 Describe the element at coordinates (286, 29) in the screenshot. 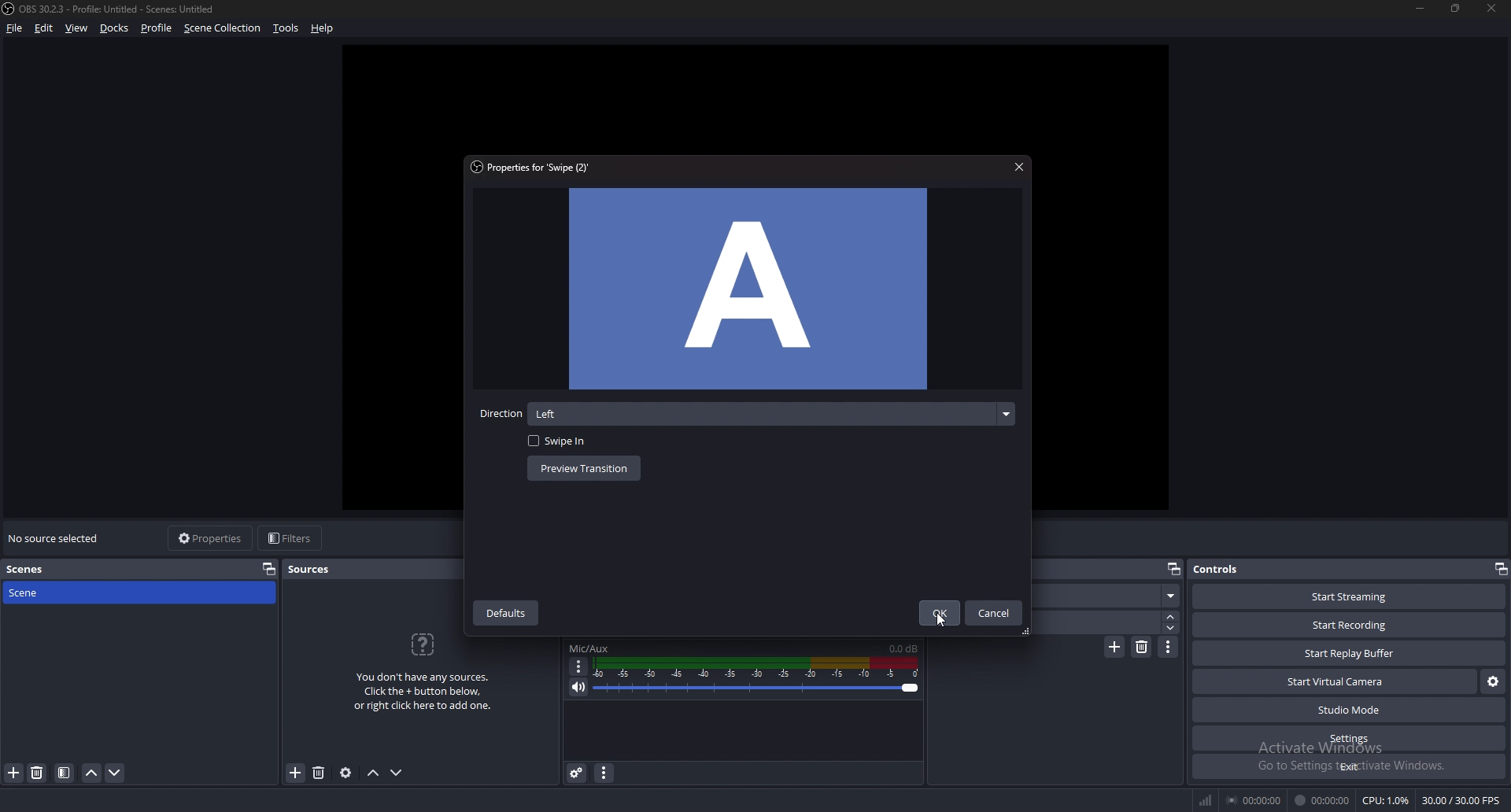

I see `tools` at that location.